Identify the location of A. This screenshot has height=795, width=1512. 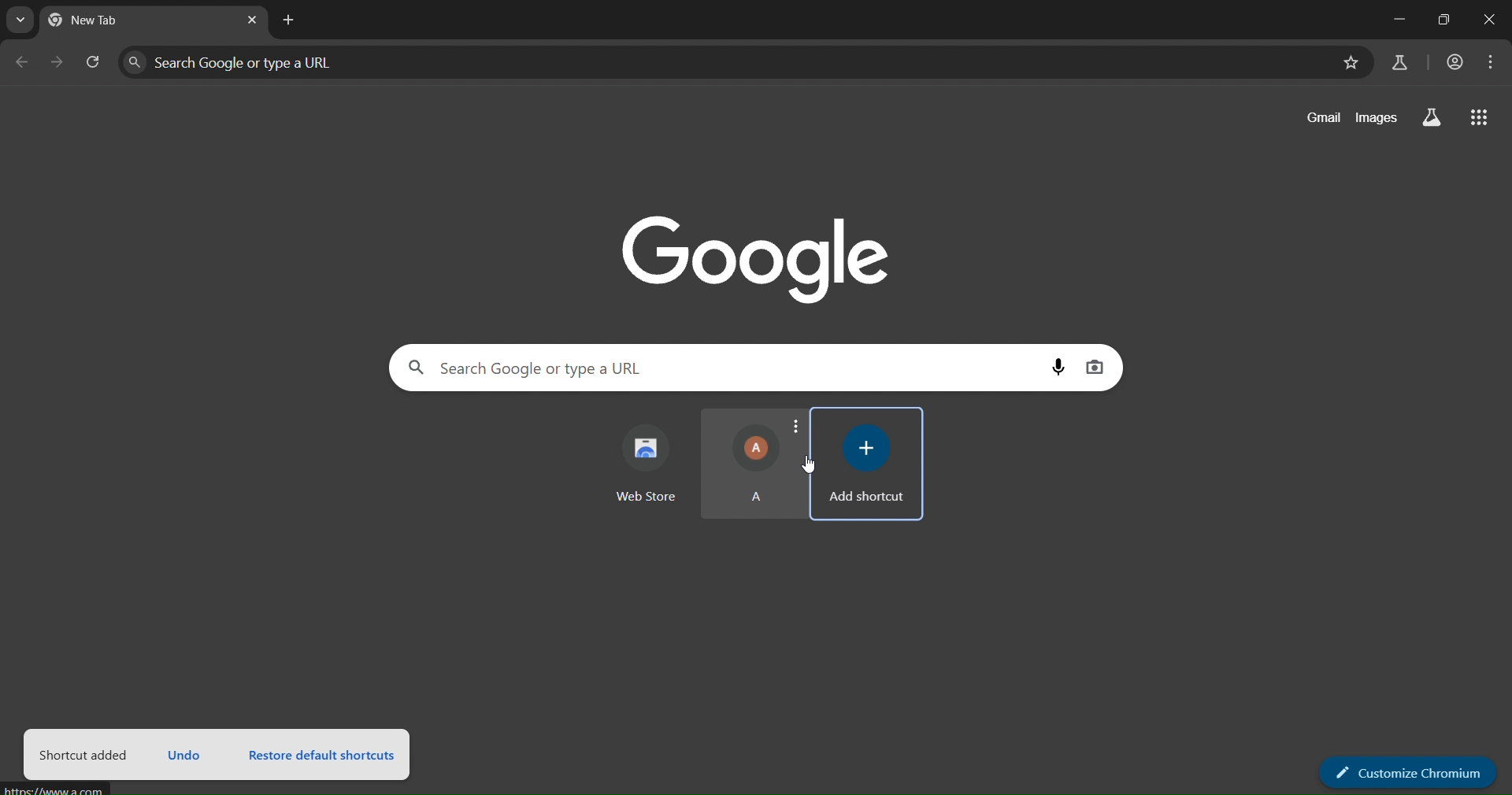
(743, 465).